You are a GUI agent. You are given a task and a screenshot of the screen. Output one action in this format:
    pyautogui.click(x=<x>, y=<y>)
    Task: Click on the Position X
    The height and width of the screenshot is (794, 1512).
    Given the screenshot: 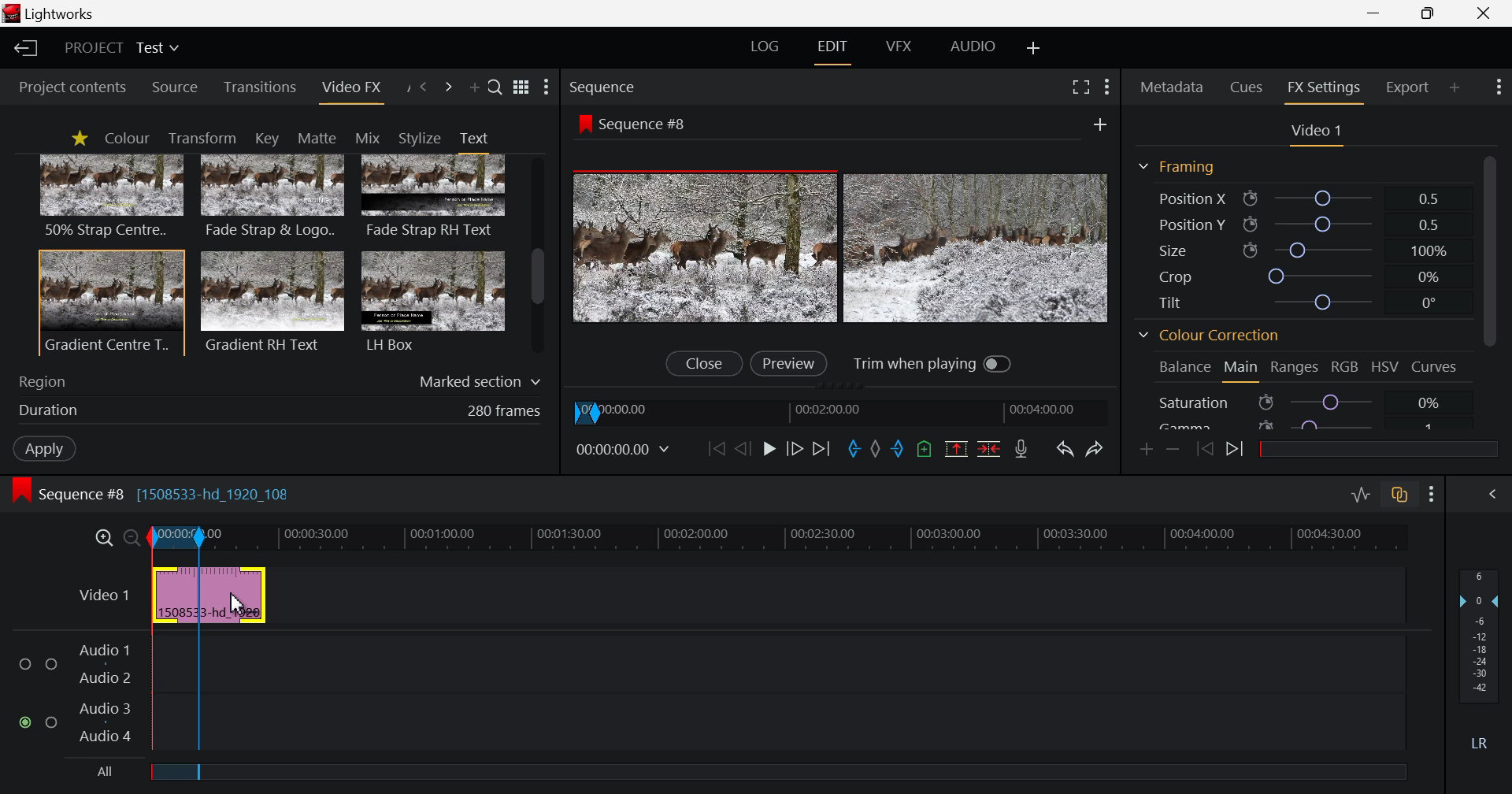 What is the action you would take?
    pyautogui.click(x=1296, y=199)
    